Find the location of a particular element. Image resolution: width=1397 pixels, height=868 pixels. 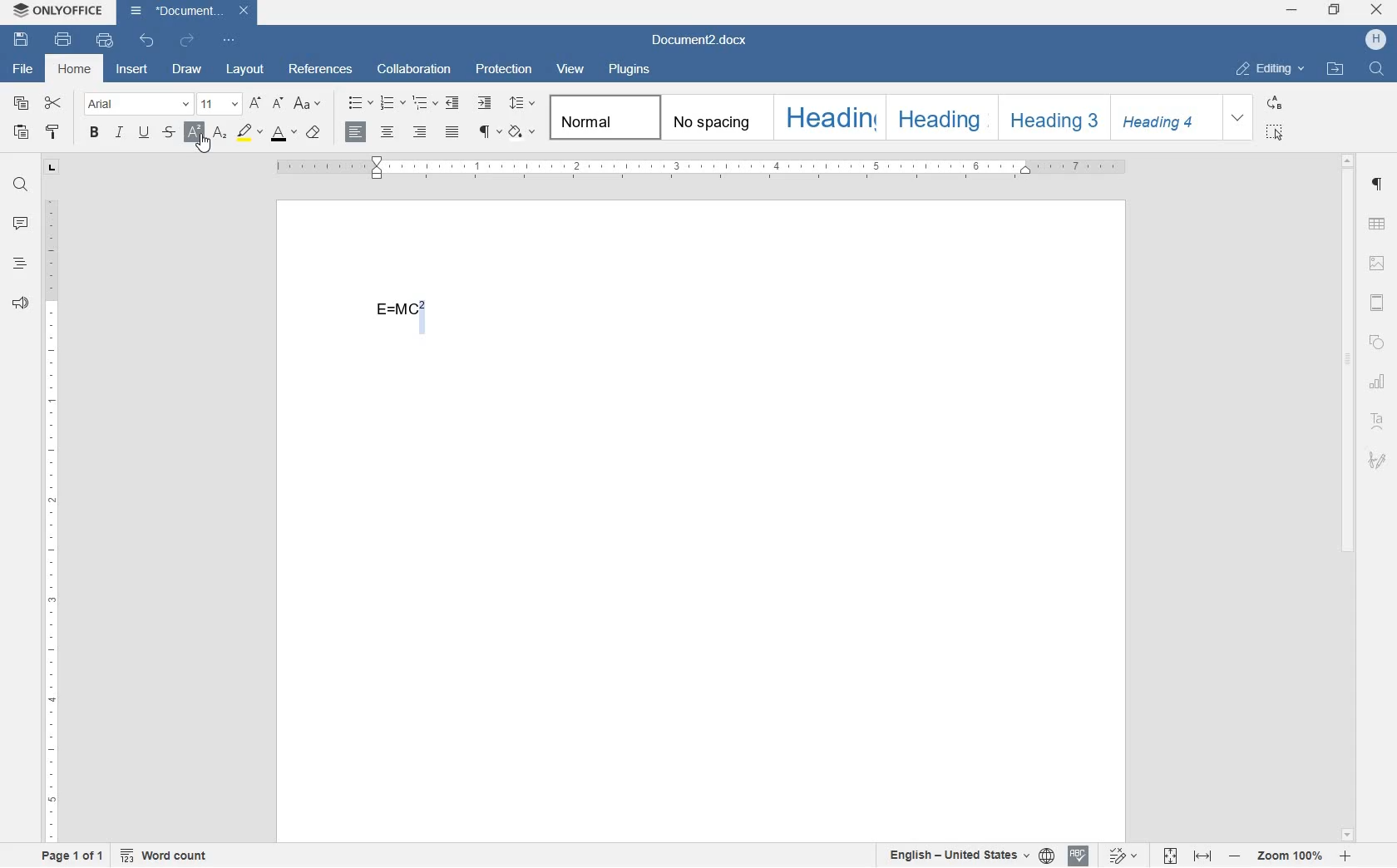

bold is located at coordinates (93, 131).